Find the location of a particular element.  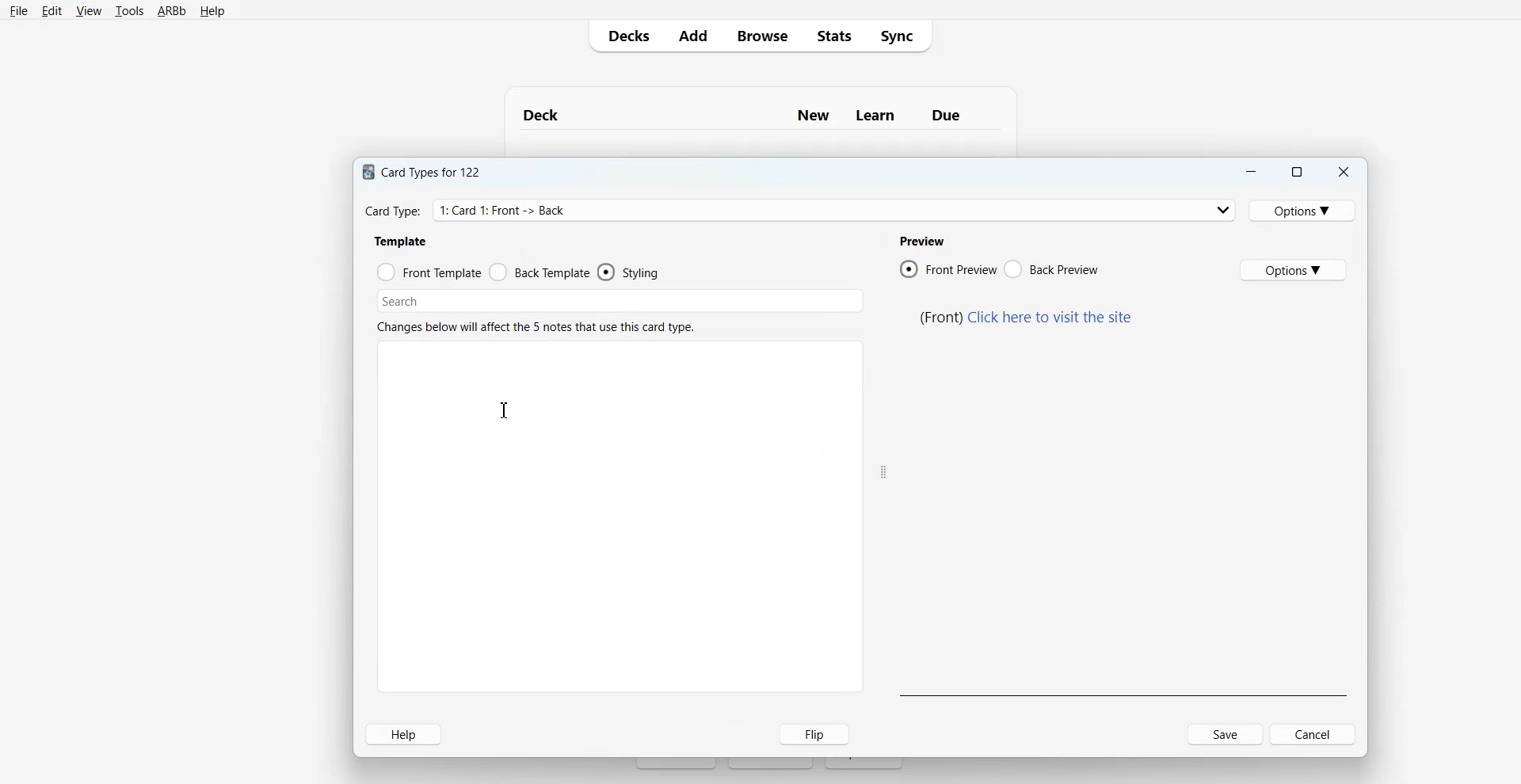

Options is located at coordinates (1294, 270).